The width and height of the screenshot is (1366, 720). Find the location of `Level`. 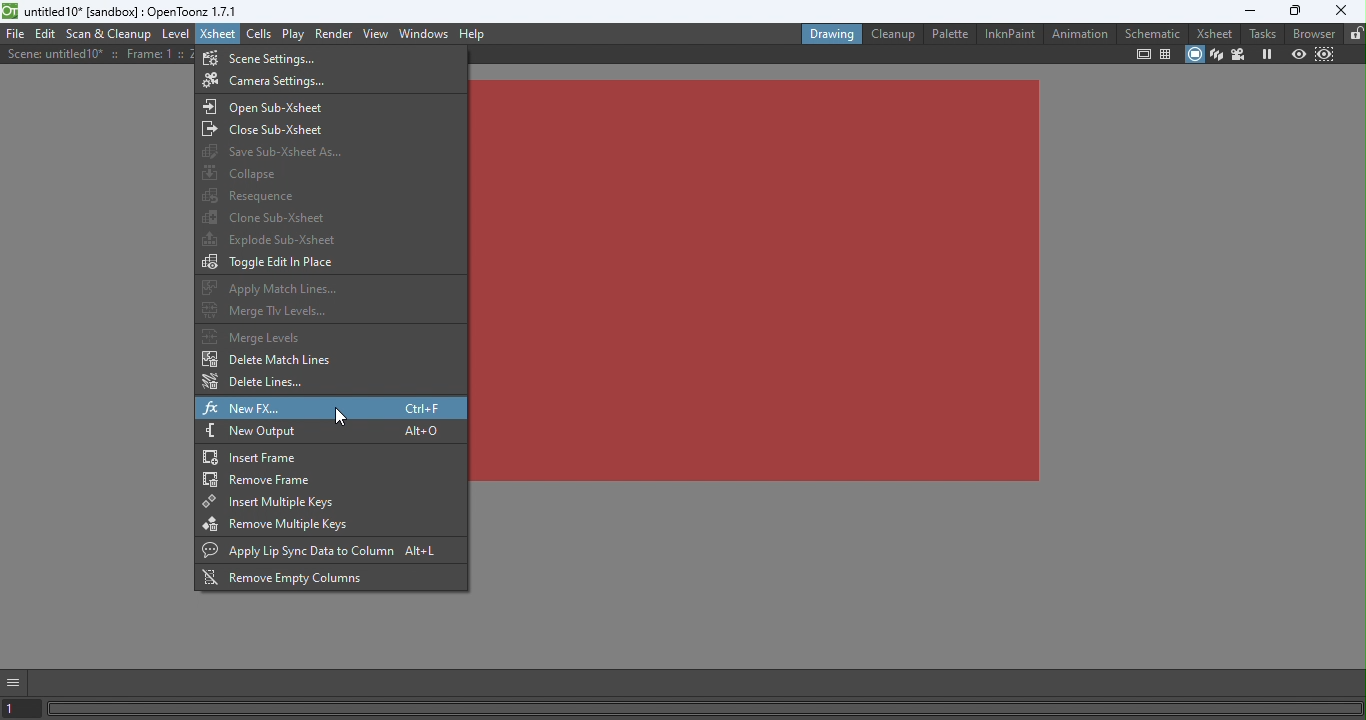

Level is located at coordinates (176, 35).